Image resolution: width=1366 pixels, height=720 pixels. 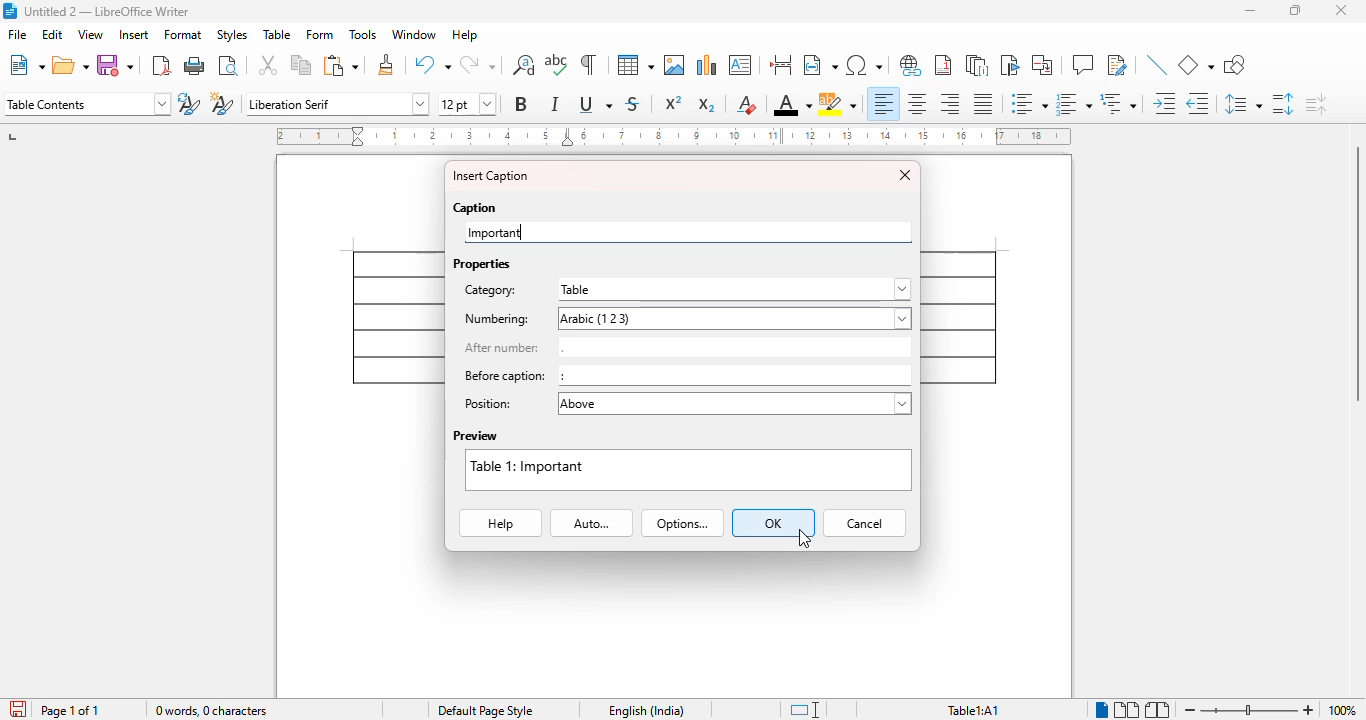 I want to click on basic shapes, so click(x=1195, y=65).